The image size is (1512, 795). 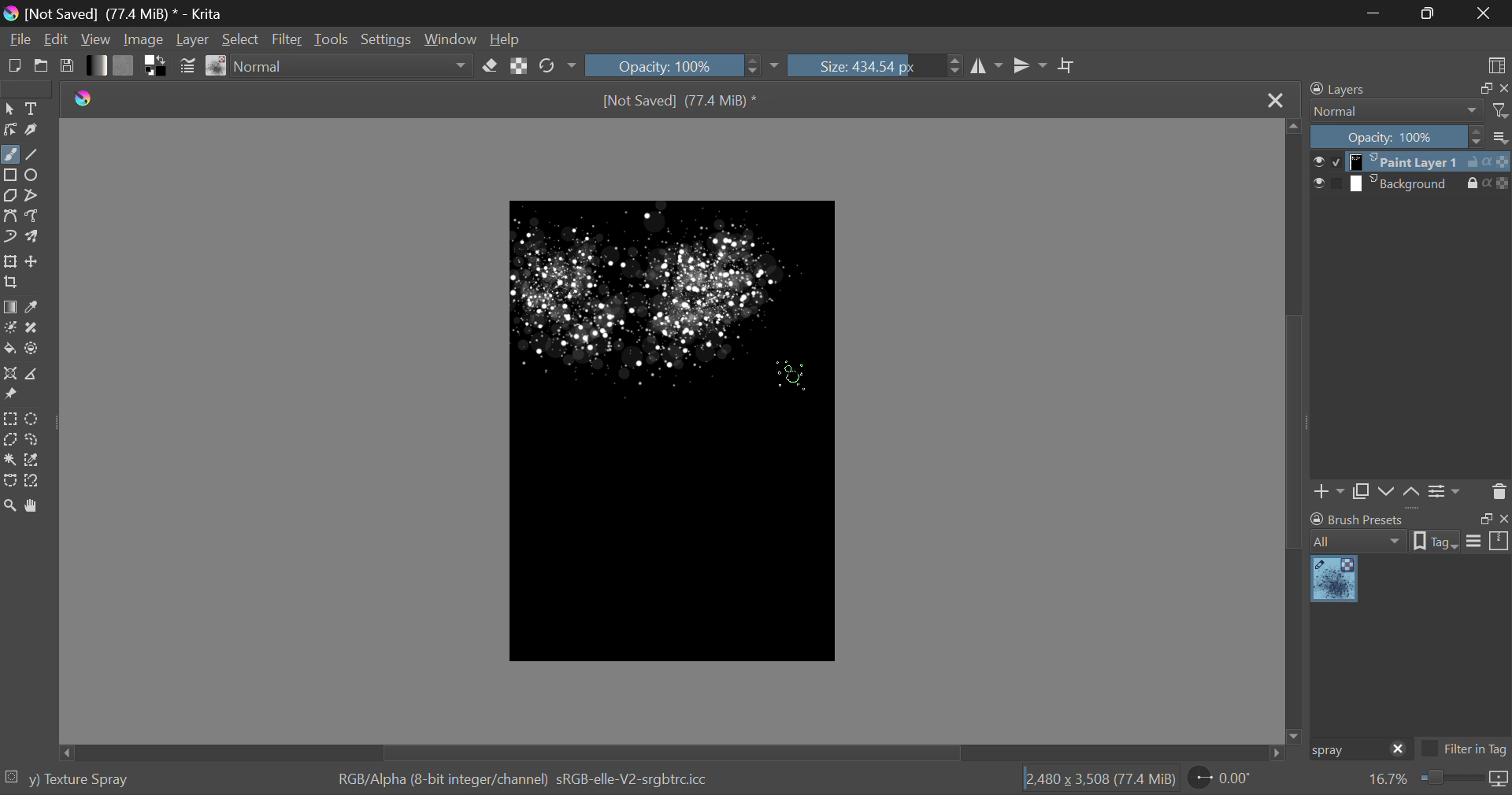 I want to click on New, so click(x=14, y=65).